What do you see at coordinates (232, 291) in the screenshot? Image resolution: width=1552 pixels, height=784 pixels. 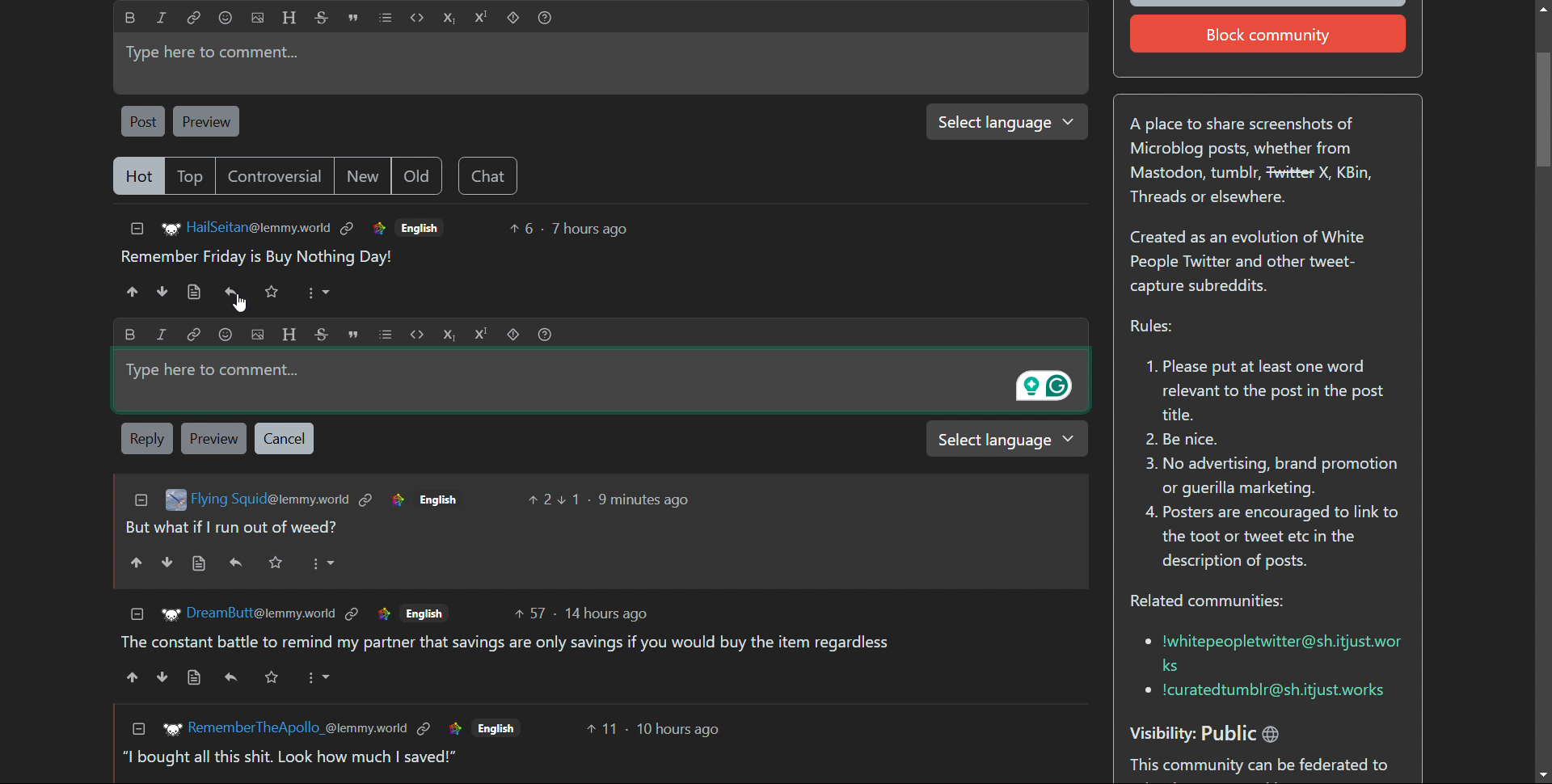 I see `reply` at bounding box center [232, 291].